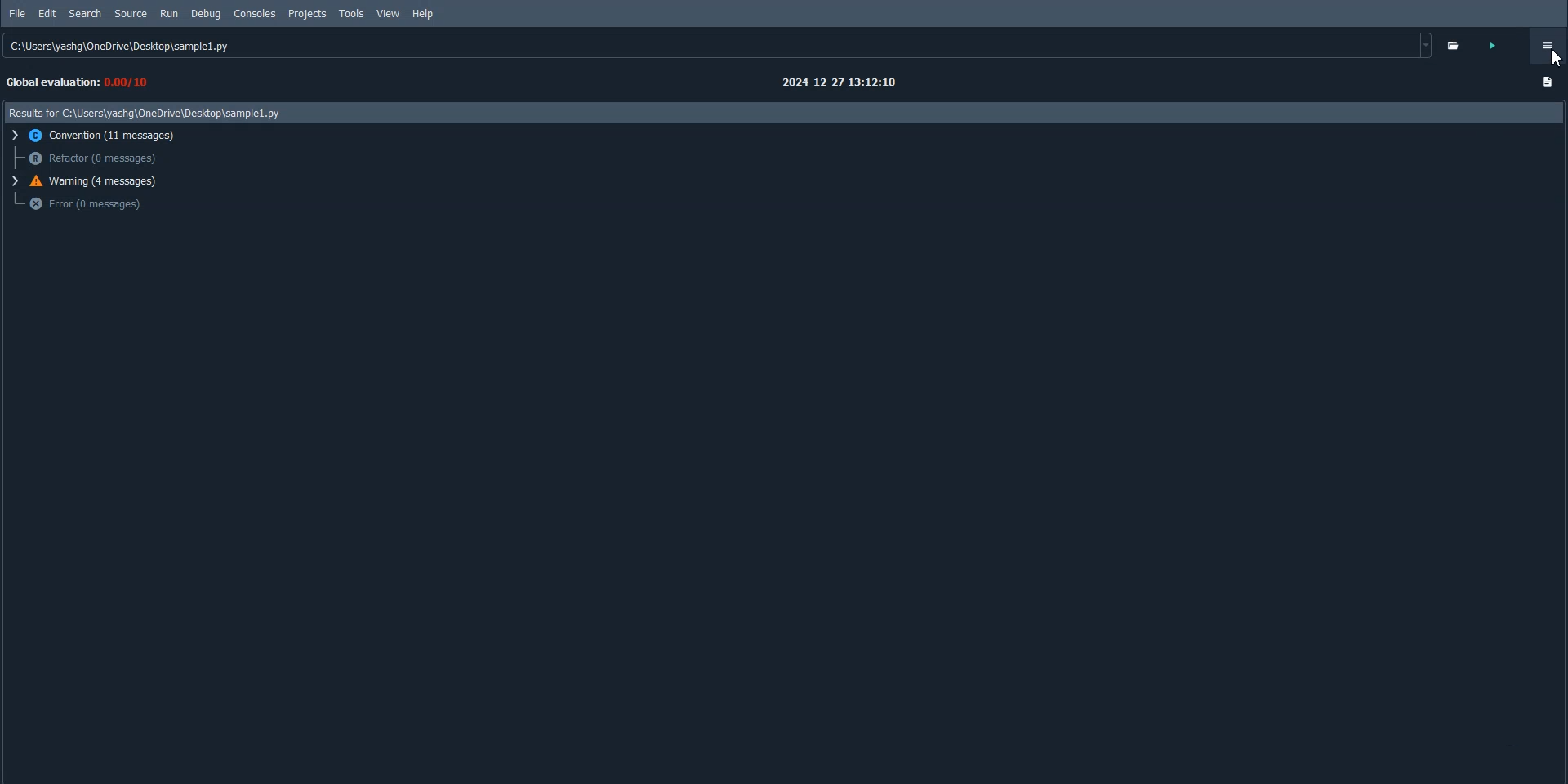  What do you see at coordinates (1500, 45) in the screenshot?
I see `Run code analysis` at bounding box center [1500, 45].